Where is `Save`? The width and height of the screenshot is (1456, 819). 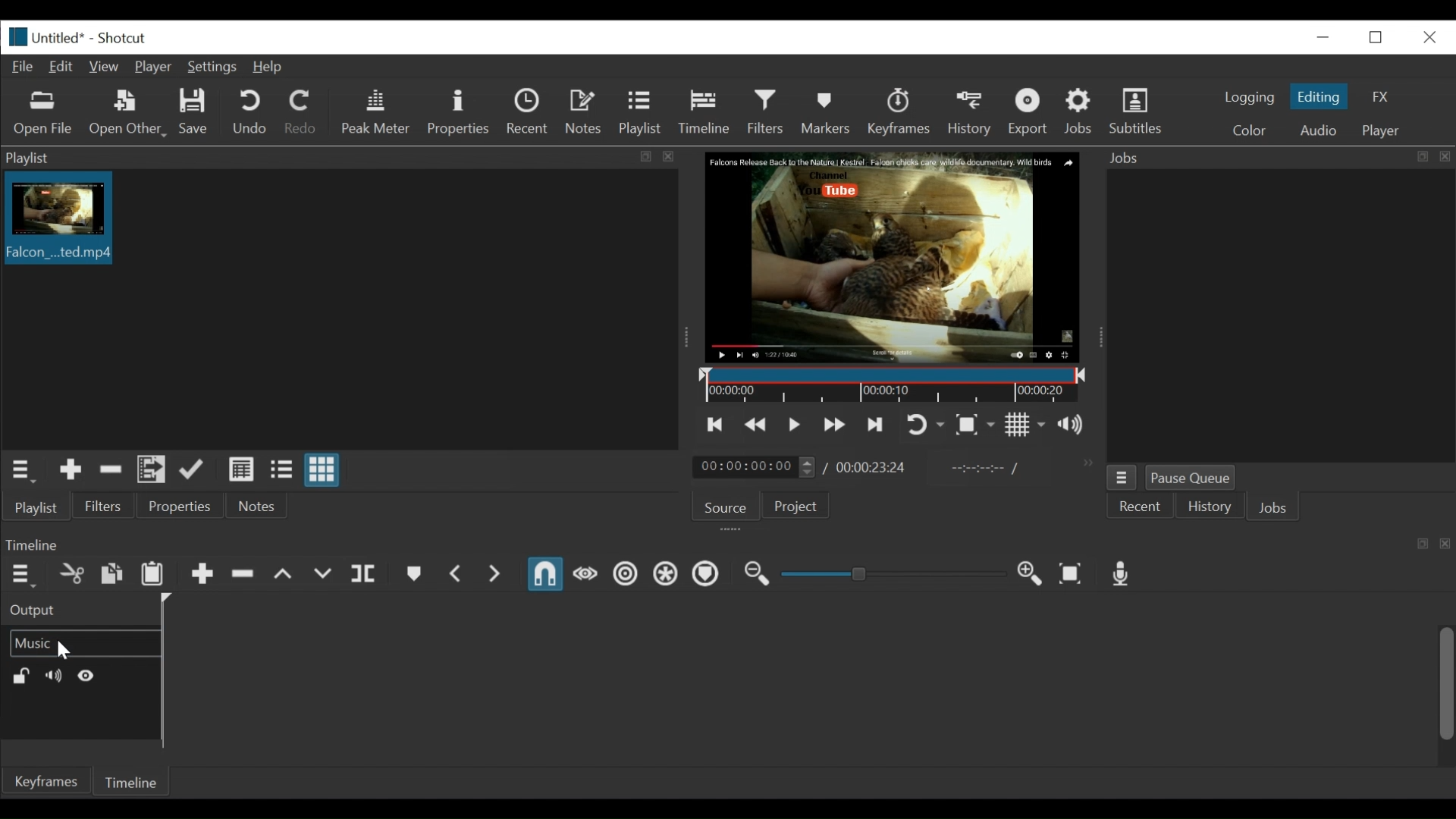 Save is located at coordinates (197, 111).